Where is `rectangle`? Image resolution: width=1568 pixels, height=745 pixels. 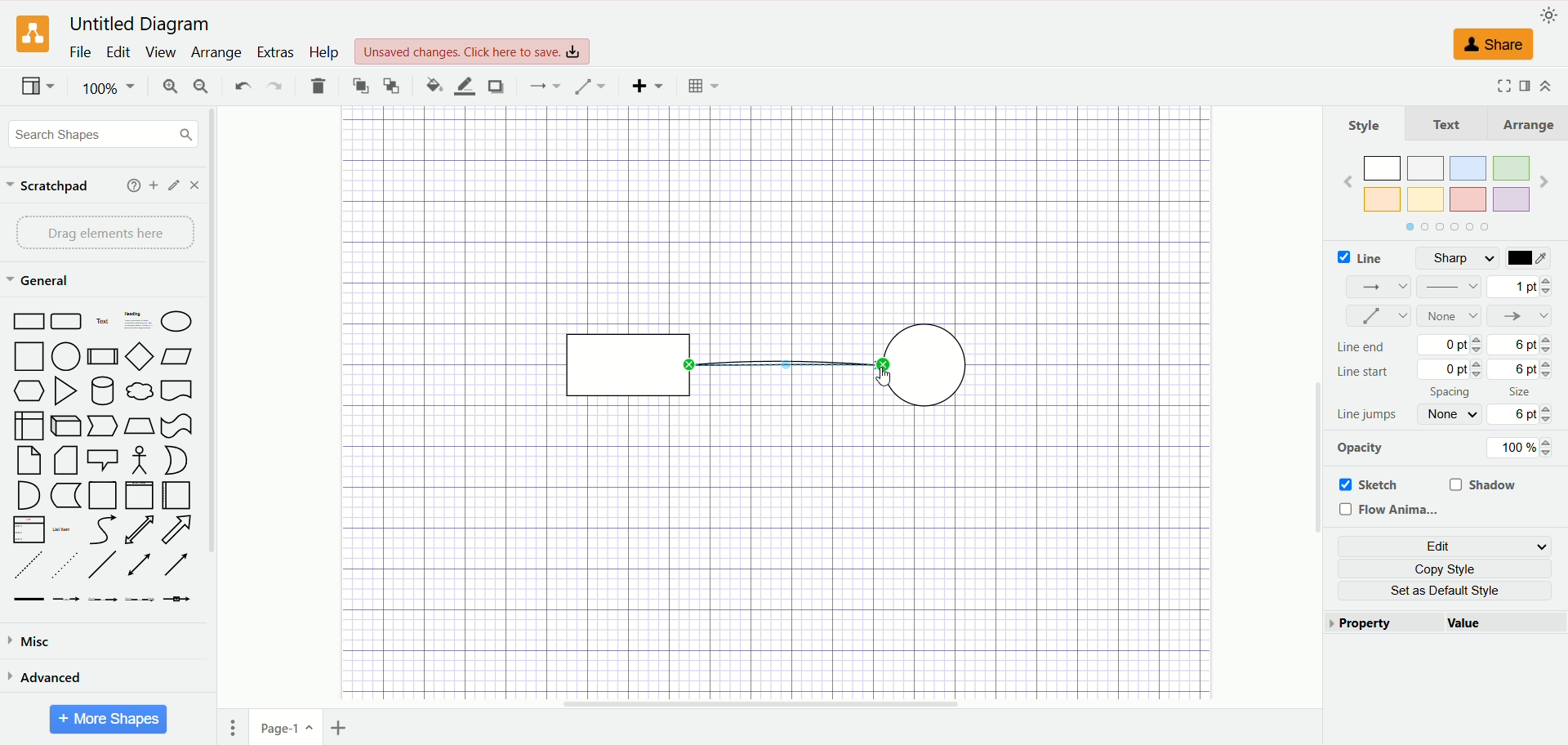 rectangle is located at coordinates (627, 366).